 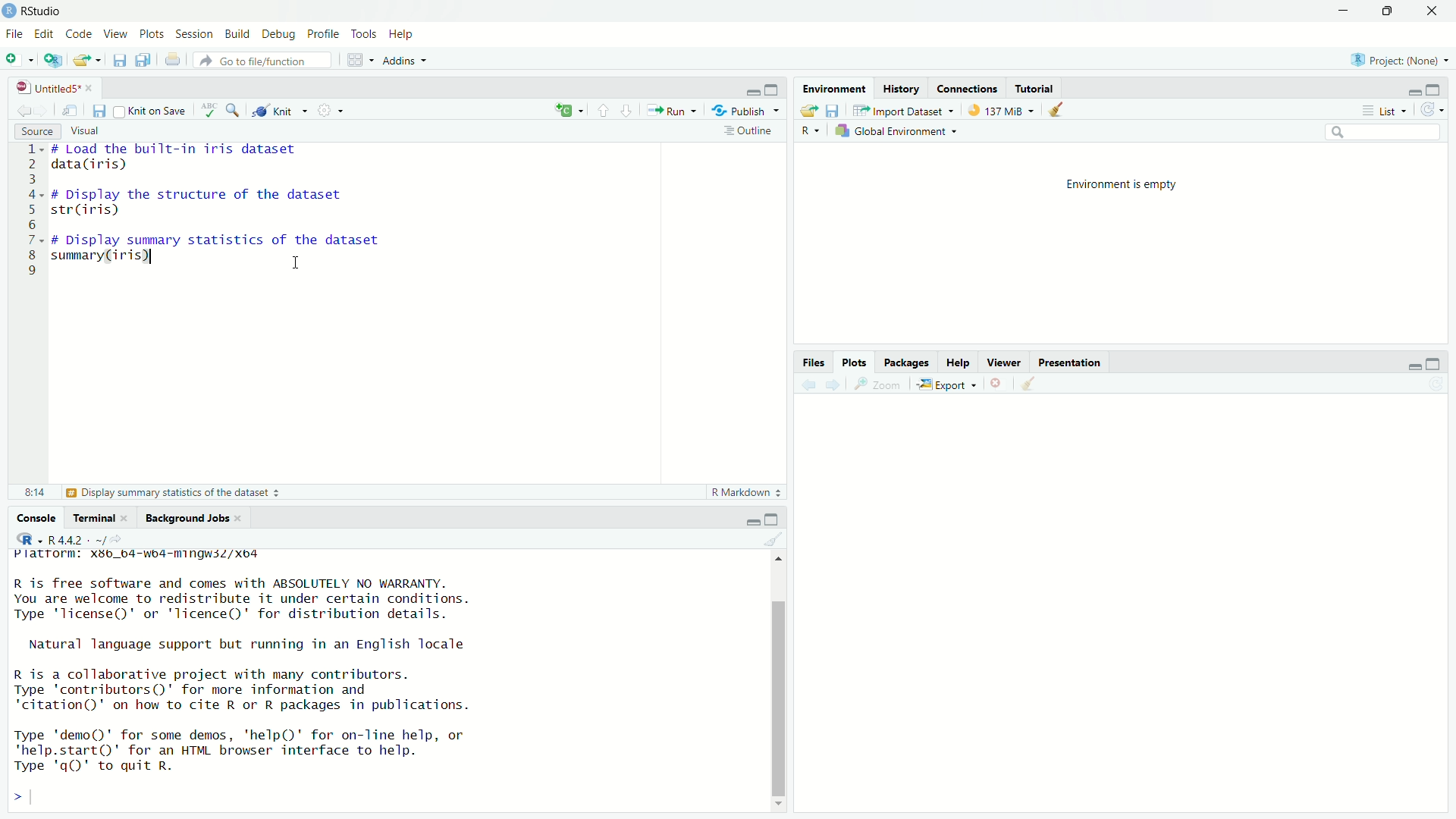 What do you see at coordinates (774, 519) in the screenshot?
I see `Full Height` at bounding box center [774, 519].